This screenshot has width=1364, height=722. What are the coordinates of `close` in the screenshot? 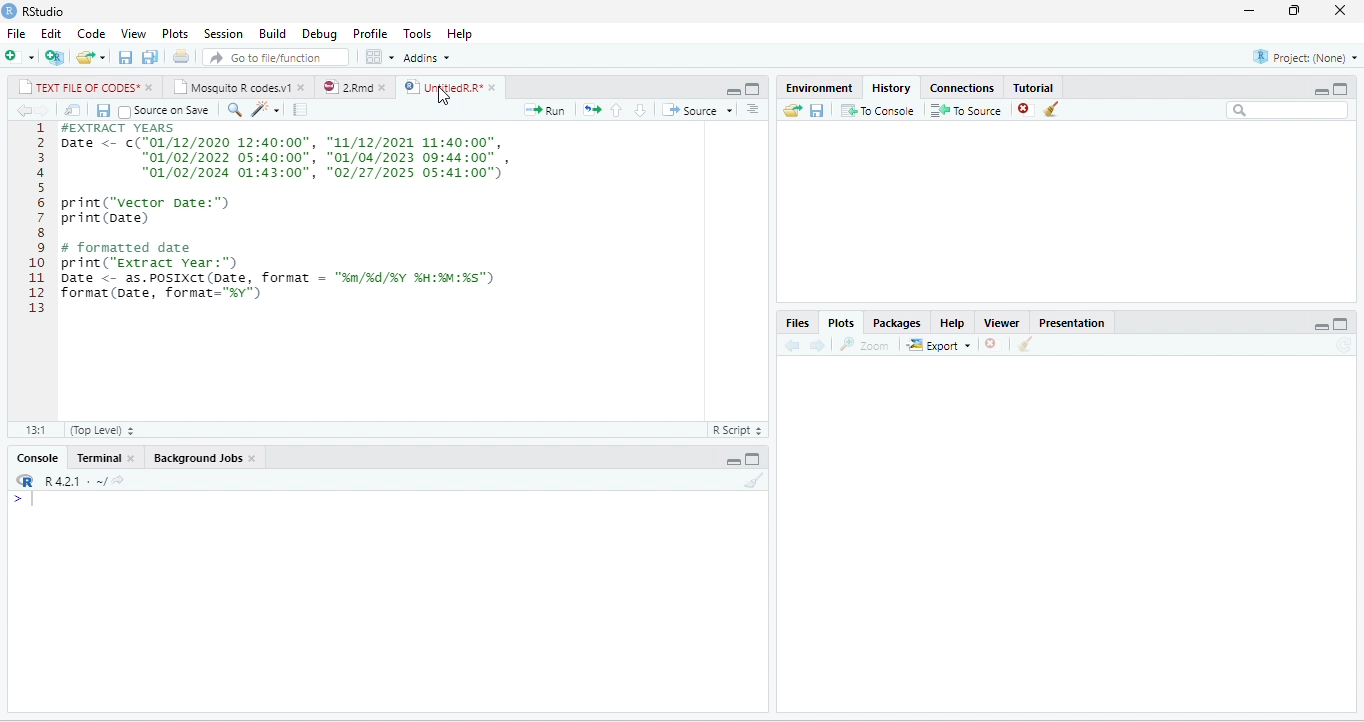 It's located at (303, 87).